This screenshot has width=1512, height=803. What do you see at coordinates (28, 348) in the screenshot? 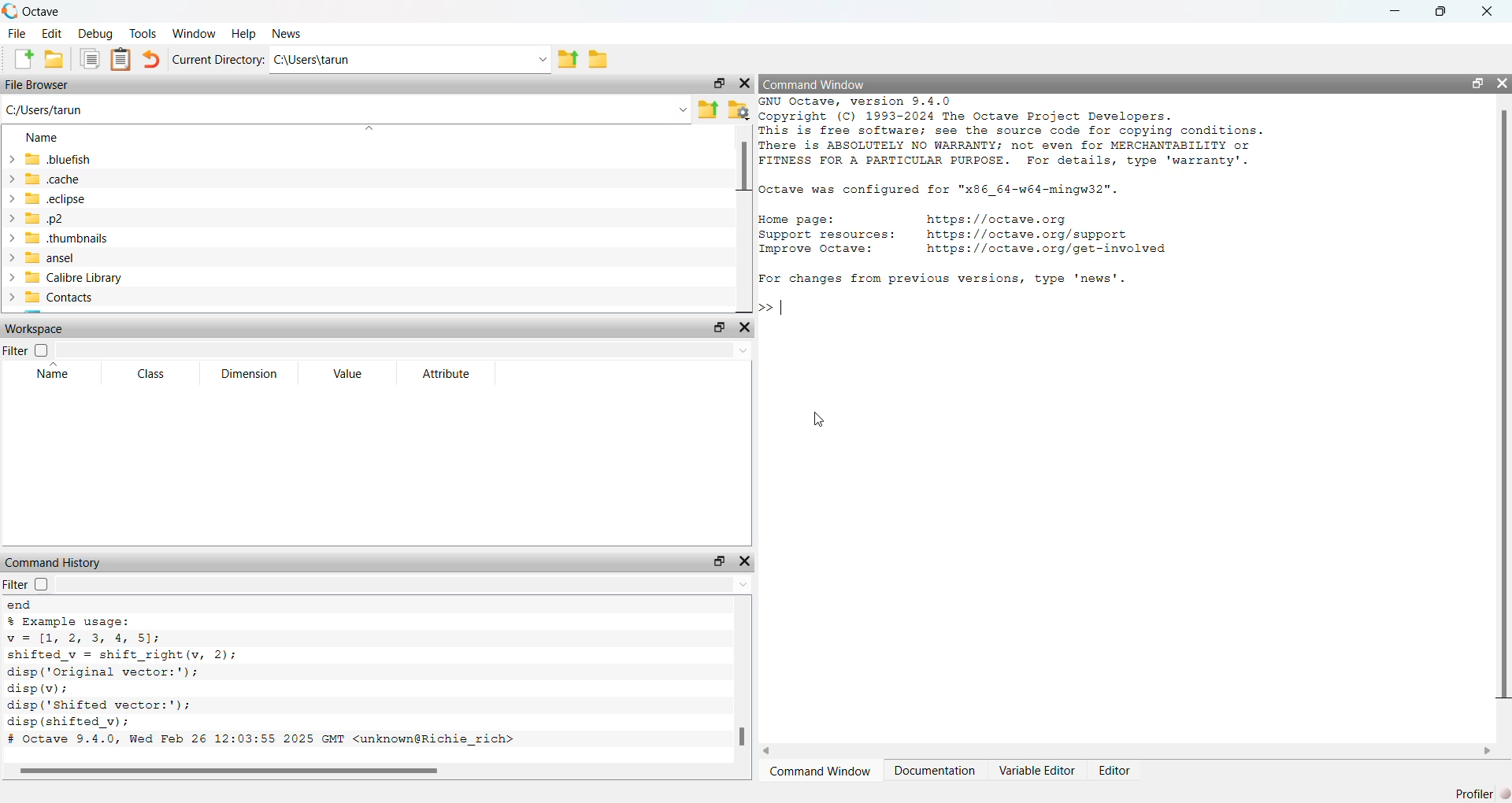
I see `filter` at bounding box center [28, 348].